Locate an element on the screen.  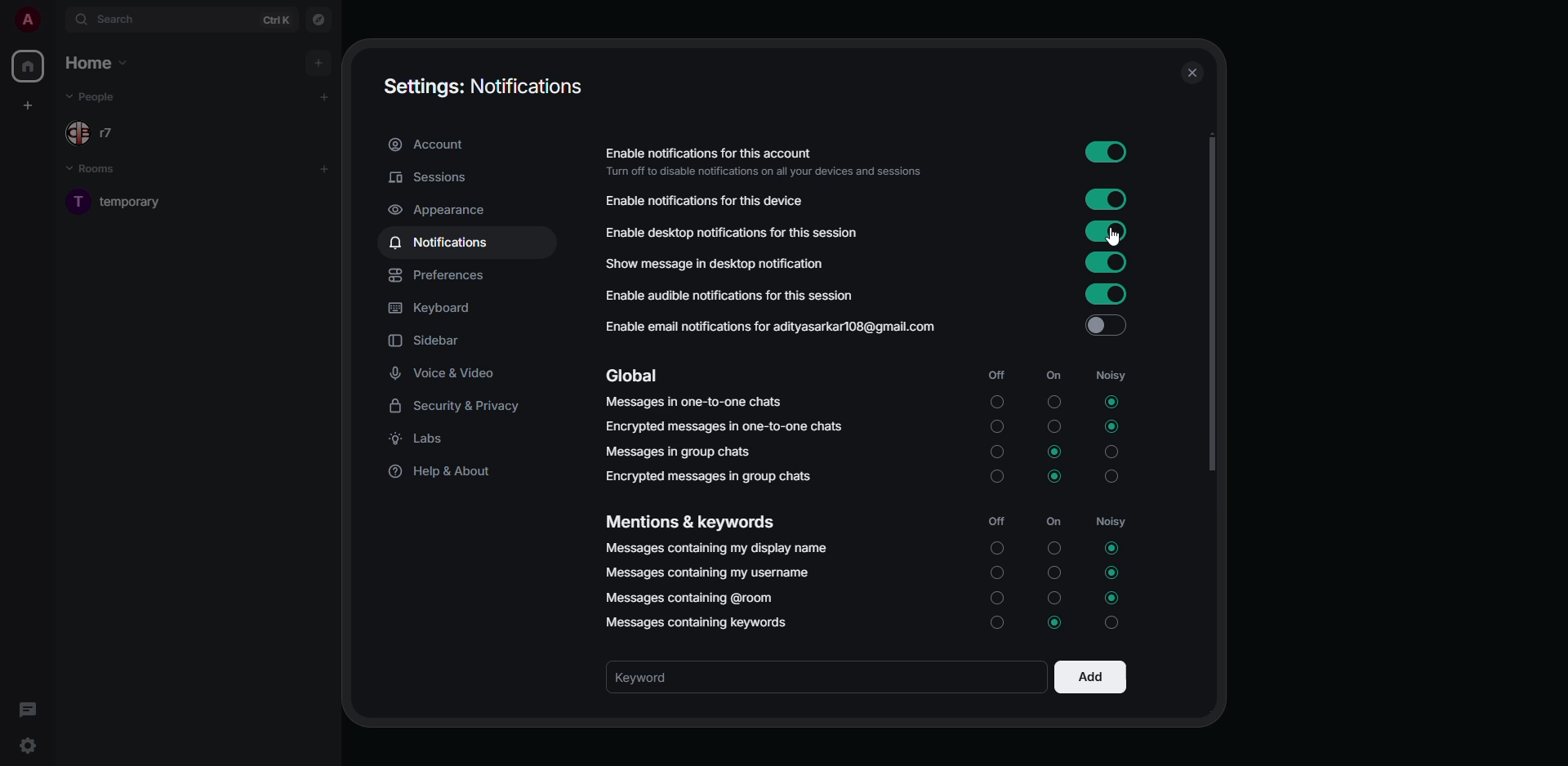
threads is located at coordinates (26, 710).